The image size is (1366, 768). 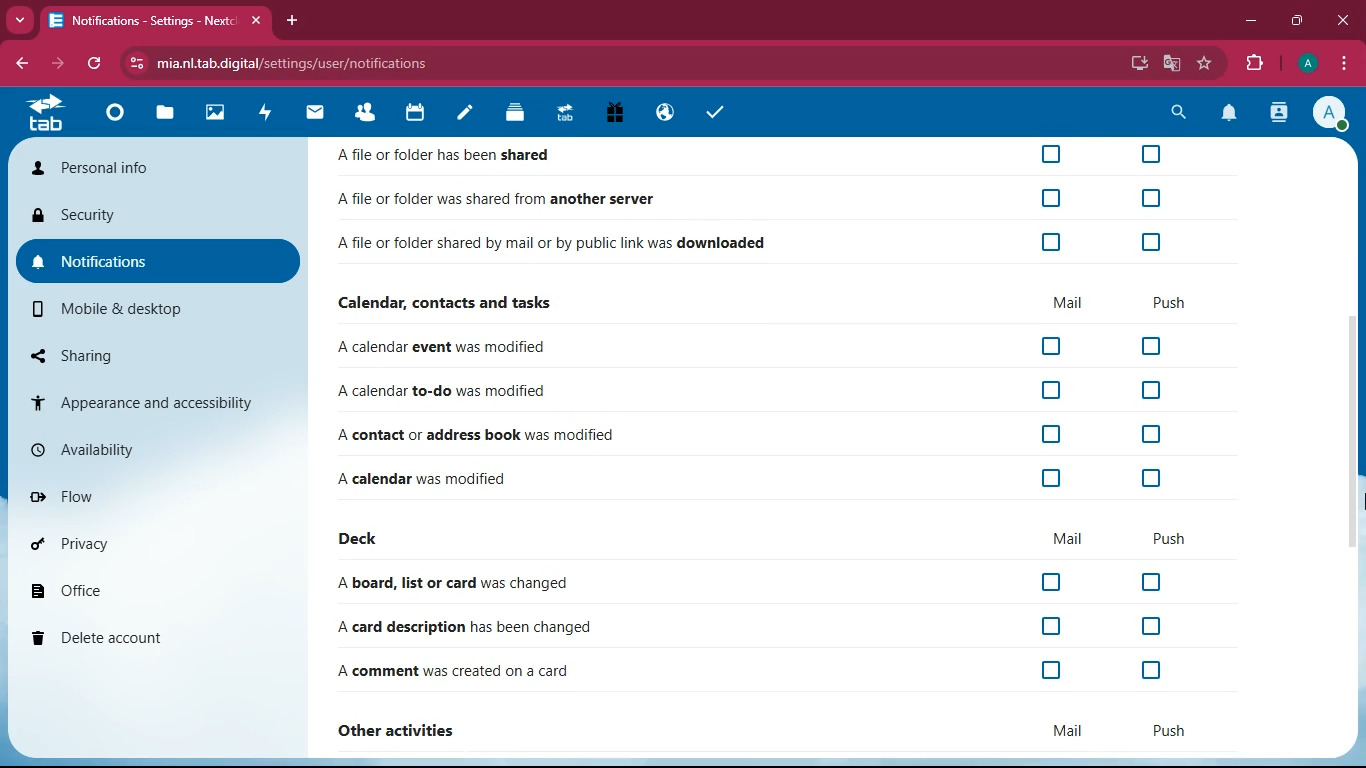 What do you see at coordinates (1071, 538) in the screenshot?
I see `mail` at bounding box center [1071, 538].